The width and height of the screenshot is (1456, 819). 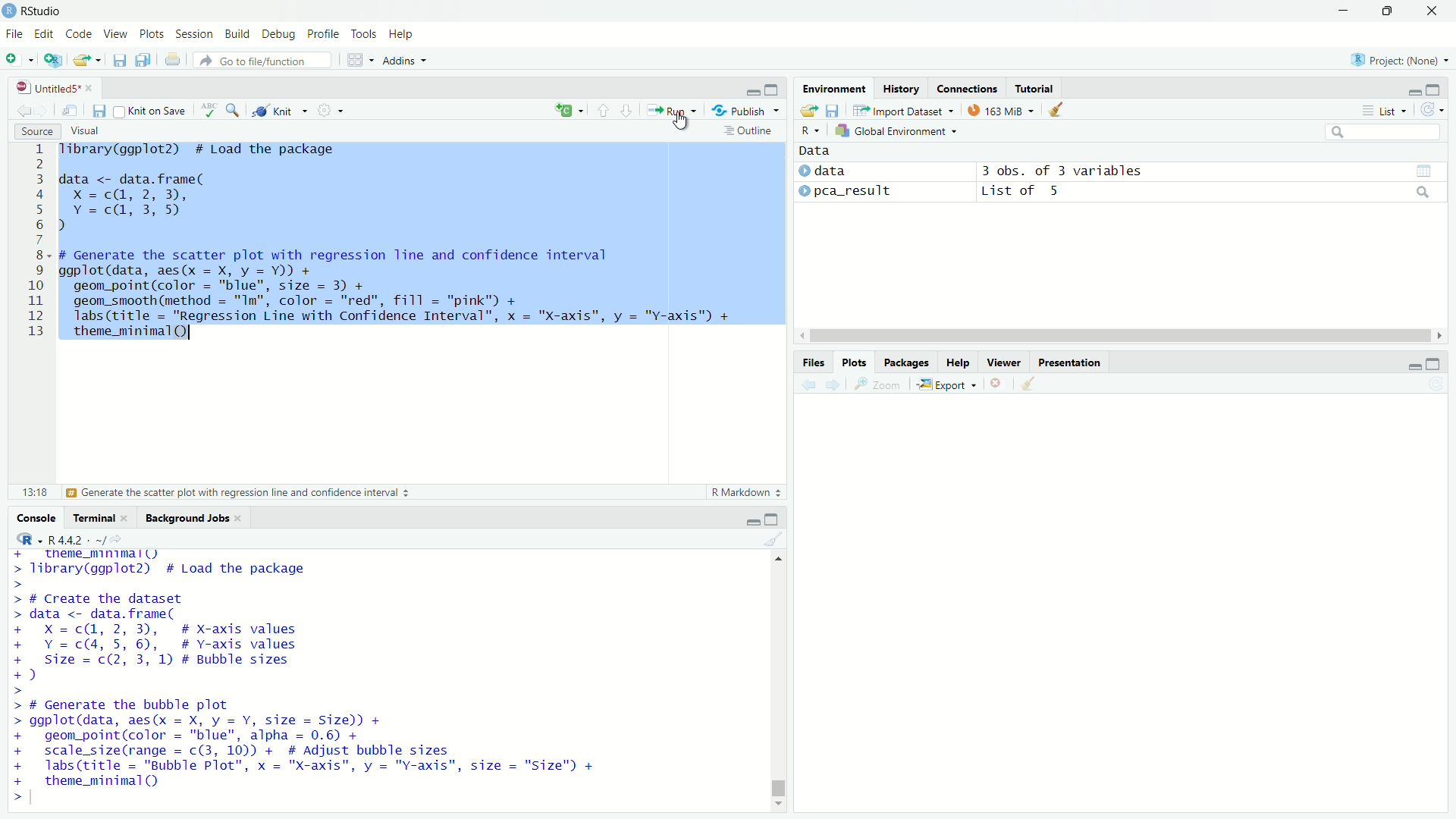 What do you see at coordinates (1413, 91) in the screenshot?
I see `minimize` at bounding box center [1413, 91].